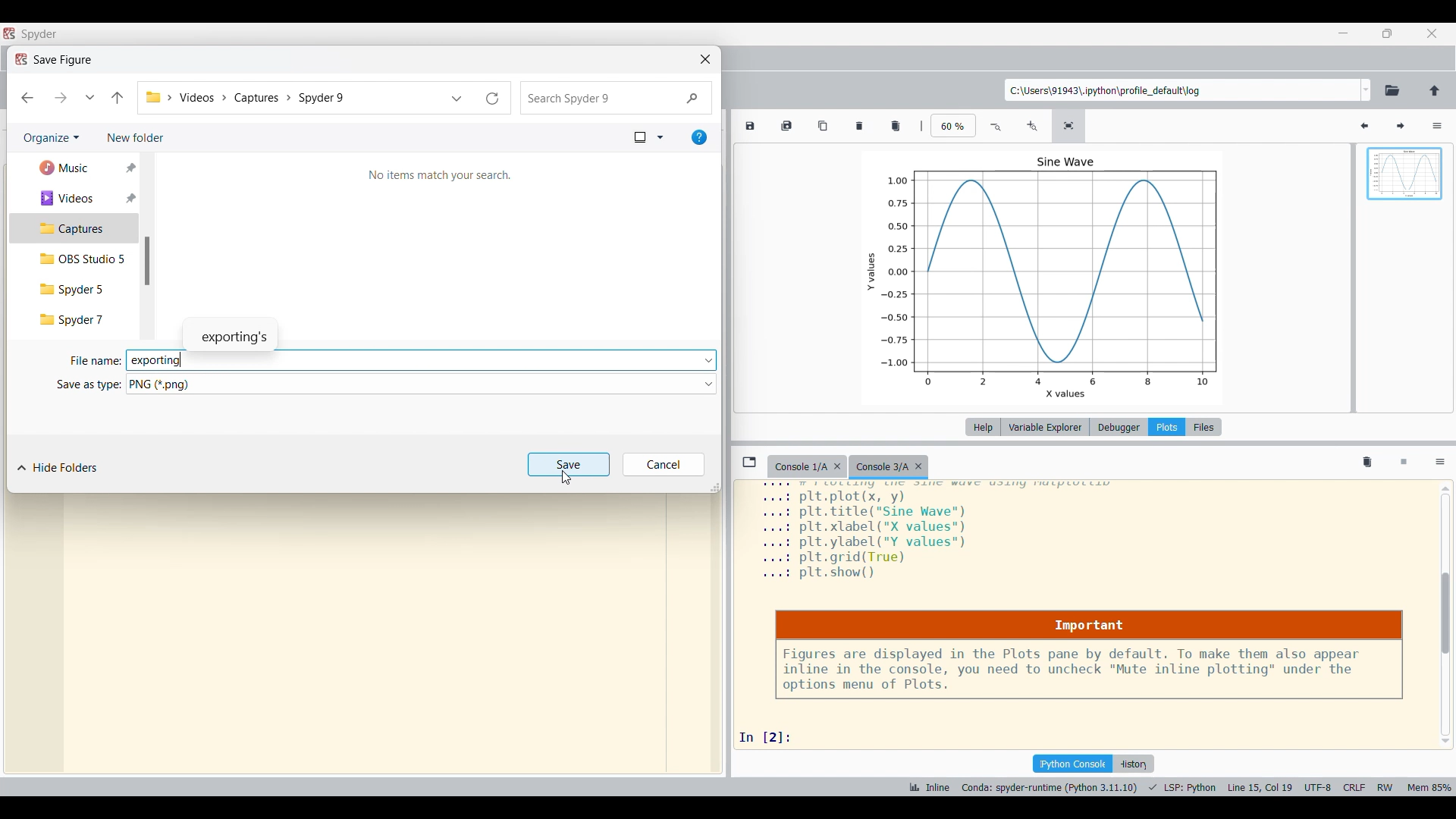  What do you see at coordinates (74, 321) in the screenshot?
I see `Spyder 7` at bounding box center [74, 321].